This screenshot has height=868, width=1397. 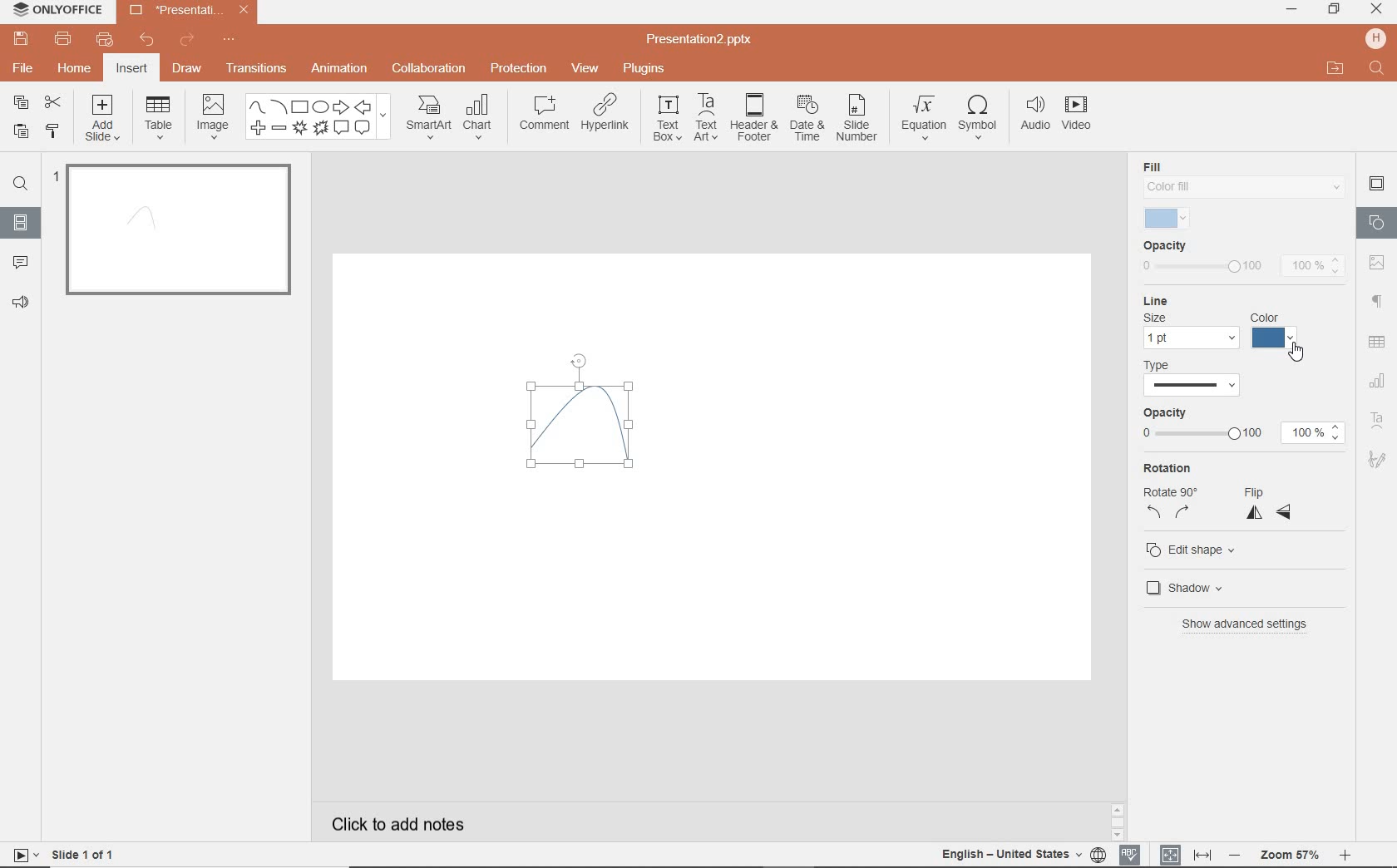 What do you see at coordinates (706, 119) in the screenshot?
I see `TEXTART` at bounding box center [706, 119].